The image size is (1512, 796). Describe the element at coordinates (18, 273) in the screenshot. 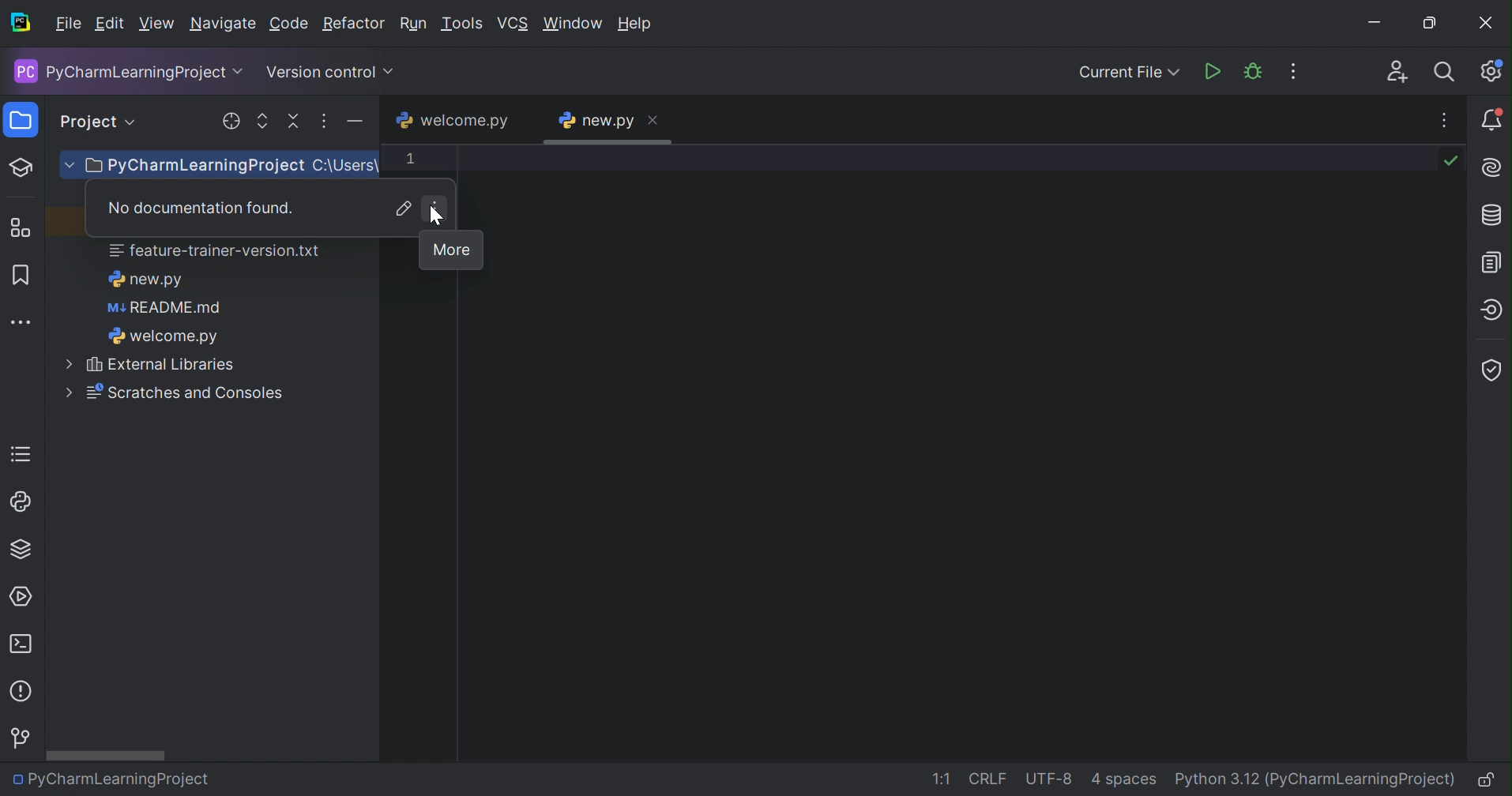

I see `Bookmarks` at that location.